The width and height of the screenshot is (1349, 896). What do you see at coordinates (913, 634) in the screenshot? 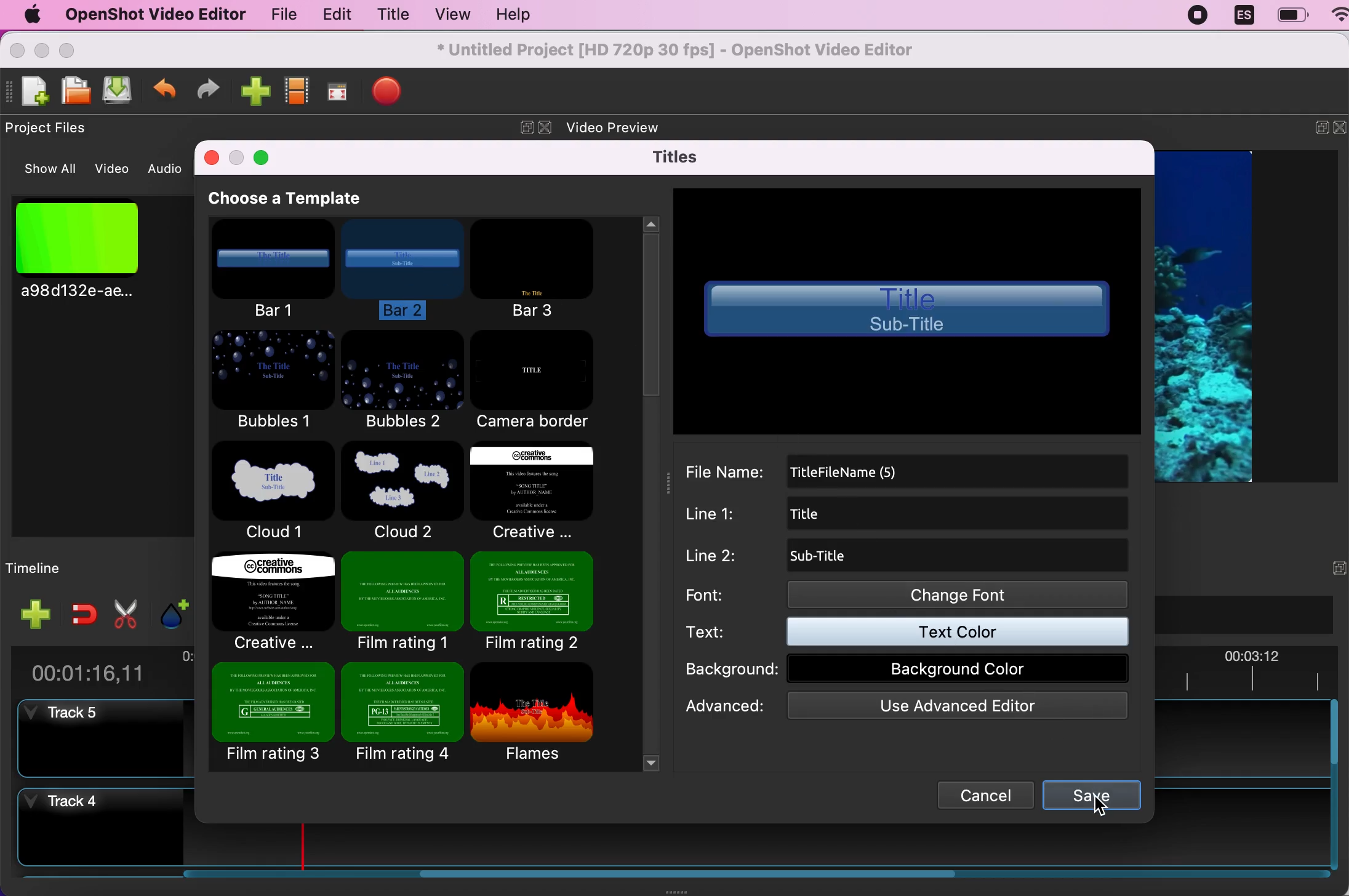
I see `text` at bounding box center [913, 634].